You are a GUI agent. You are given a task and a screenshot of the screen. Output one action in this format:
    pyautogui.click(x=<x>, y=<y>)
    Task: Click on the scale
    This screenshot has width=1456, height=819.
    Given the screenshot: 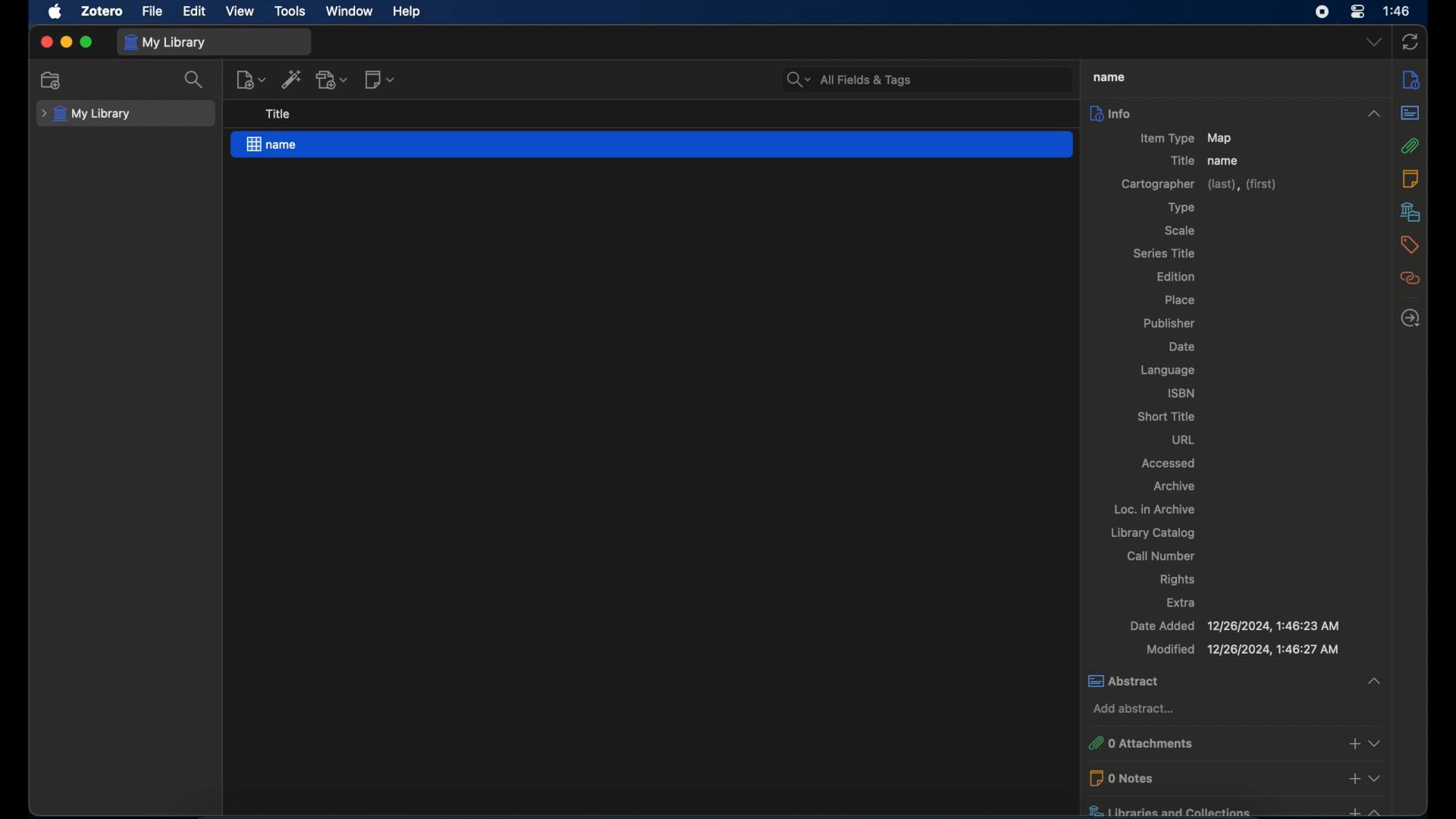 What is the action you would take?
    pyautogui.click(x=1179, y=231)
    